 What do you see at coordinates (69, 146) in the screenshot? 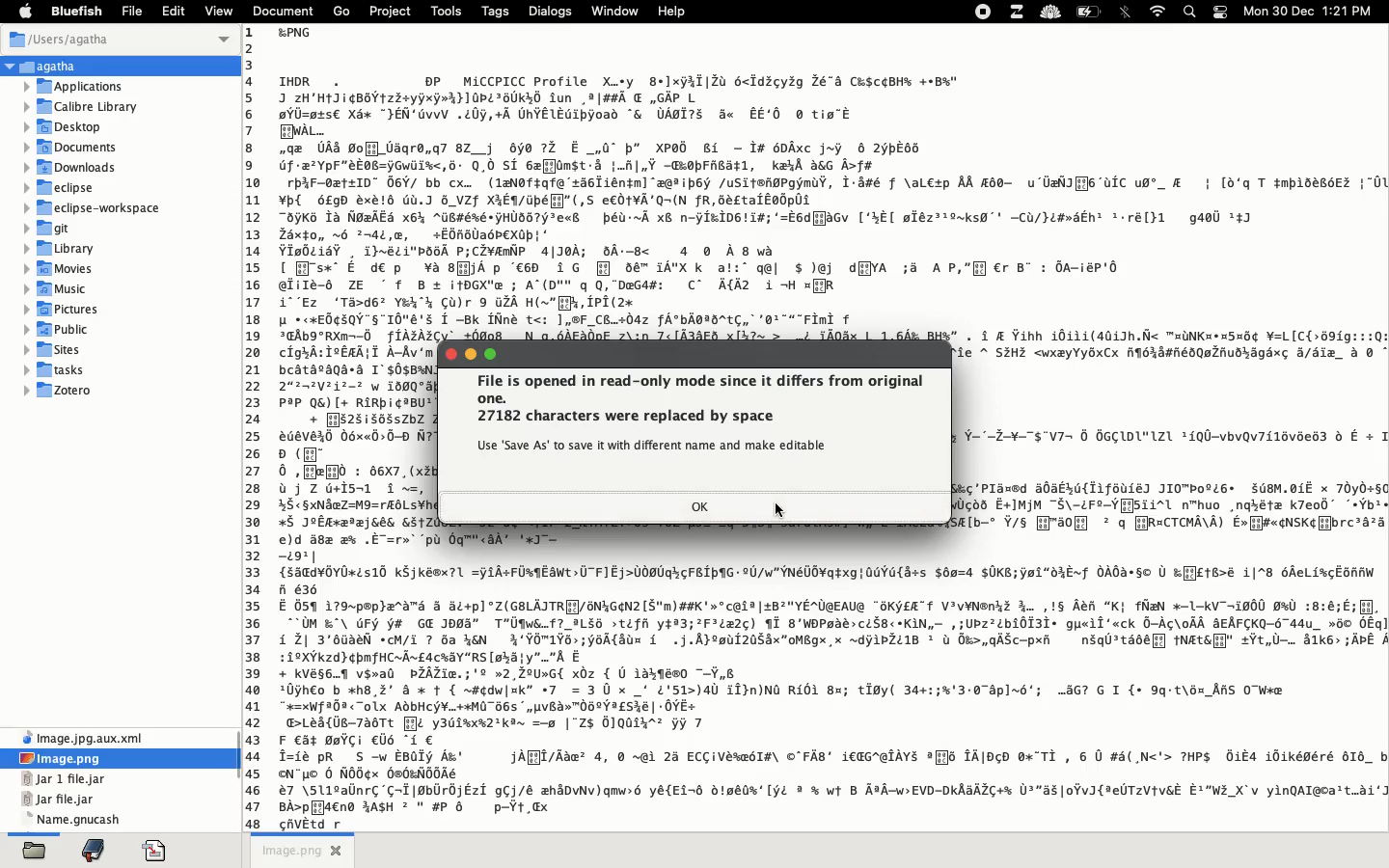
I see `documents` at bounding box center [69, 146].